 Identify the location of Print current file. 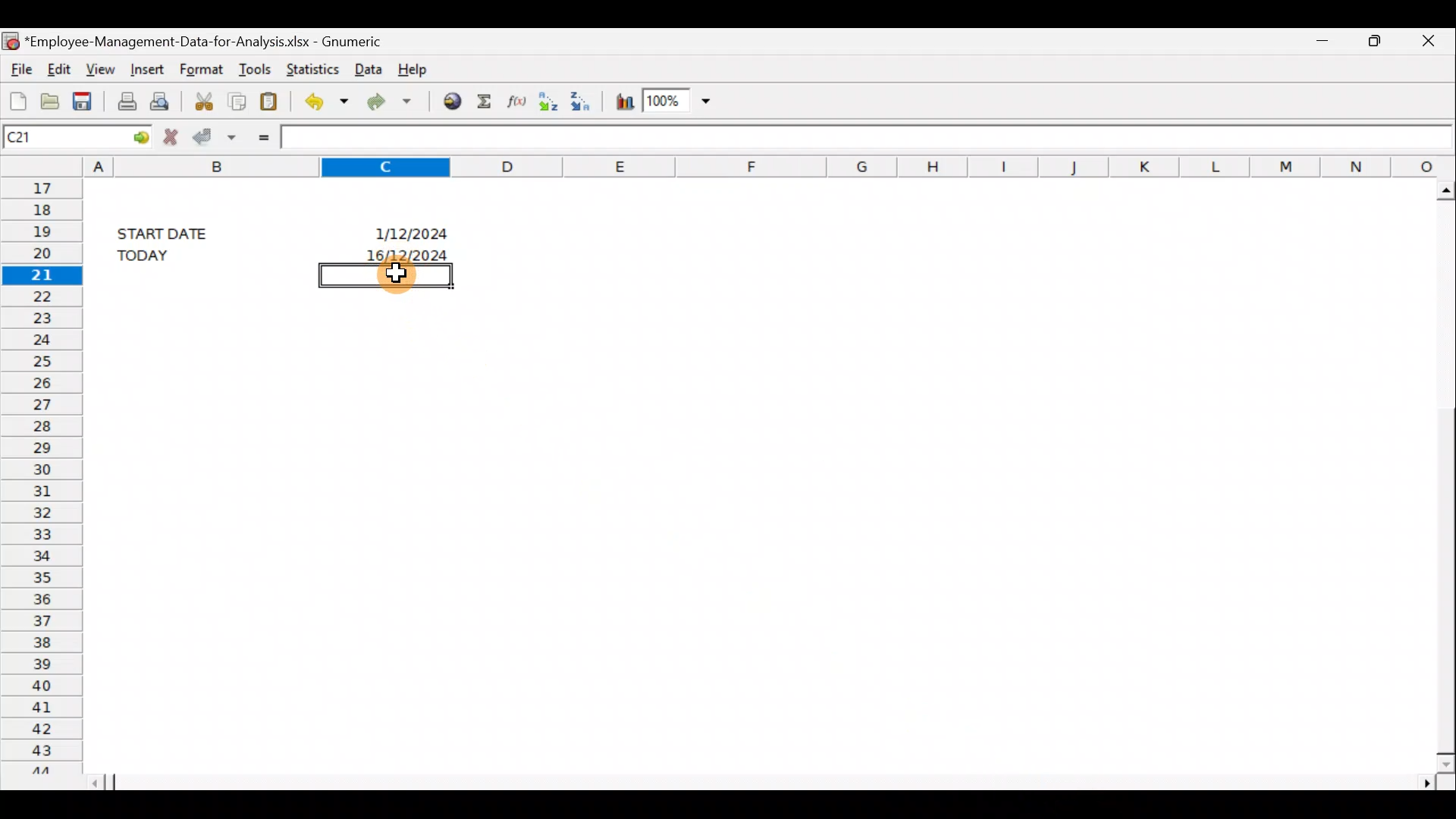
(124, 100).